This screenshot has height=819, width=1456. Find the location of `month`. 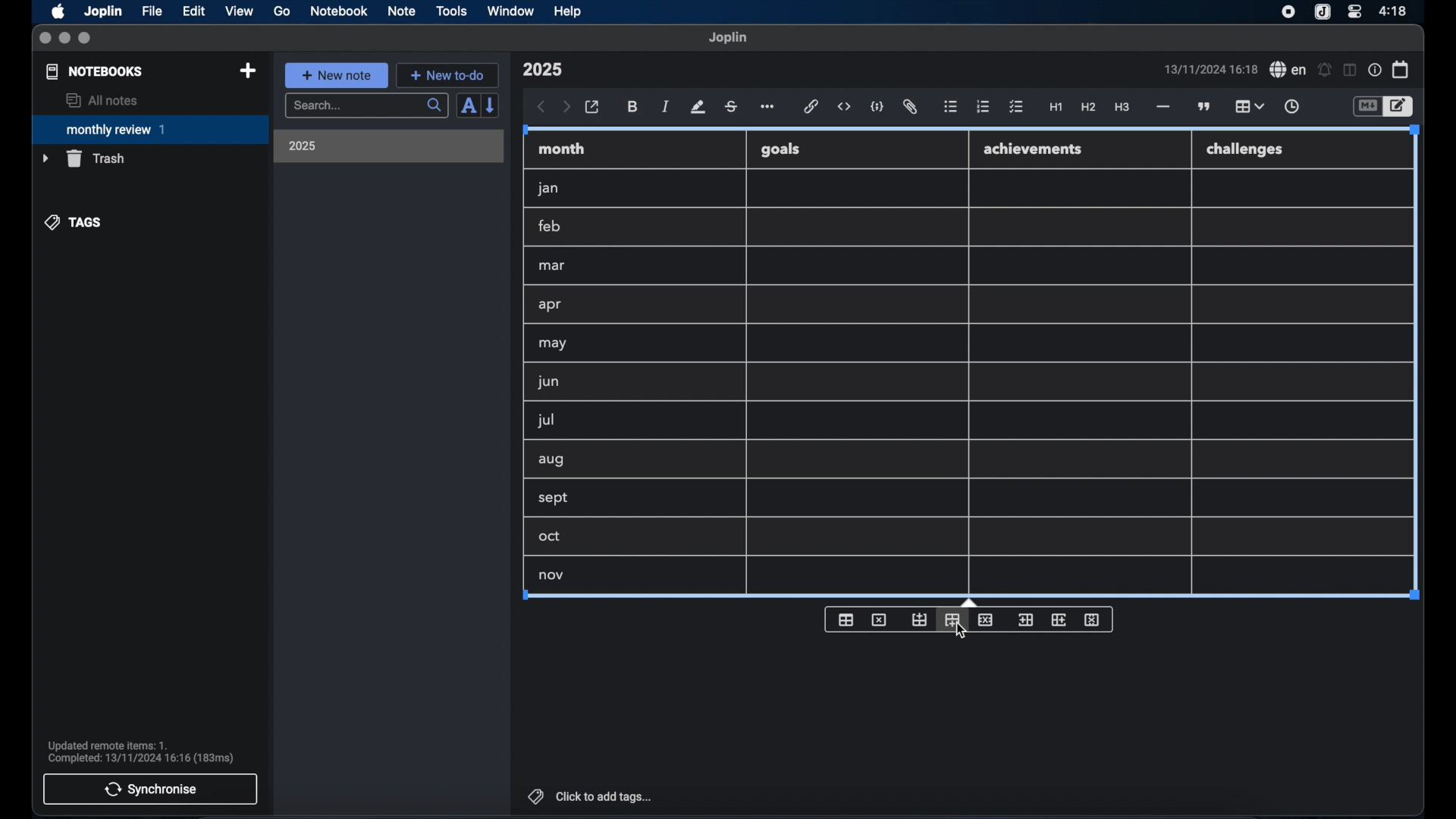

month is located at coordinates (562, 149).